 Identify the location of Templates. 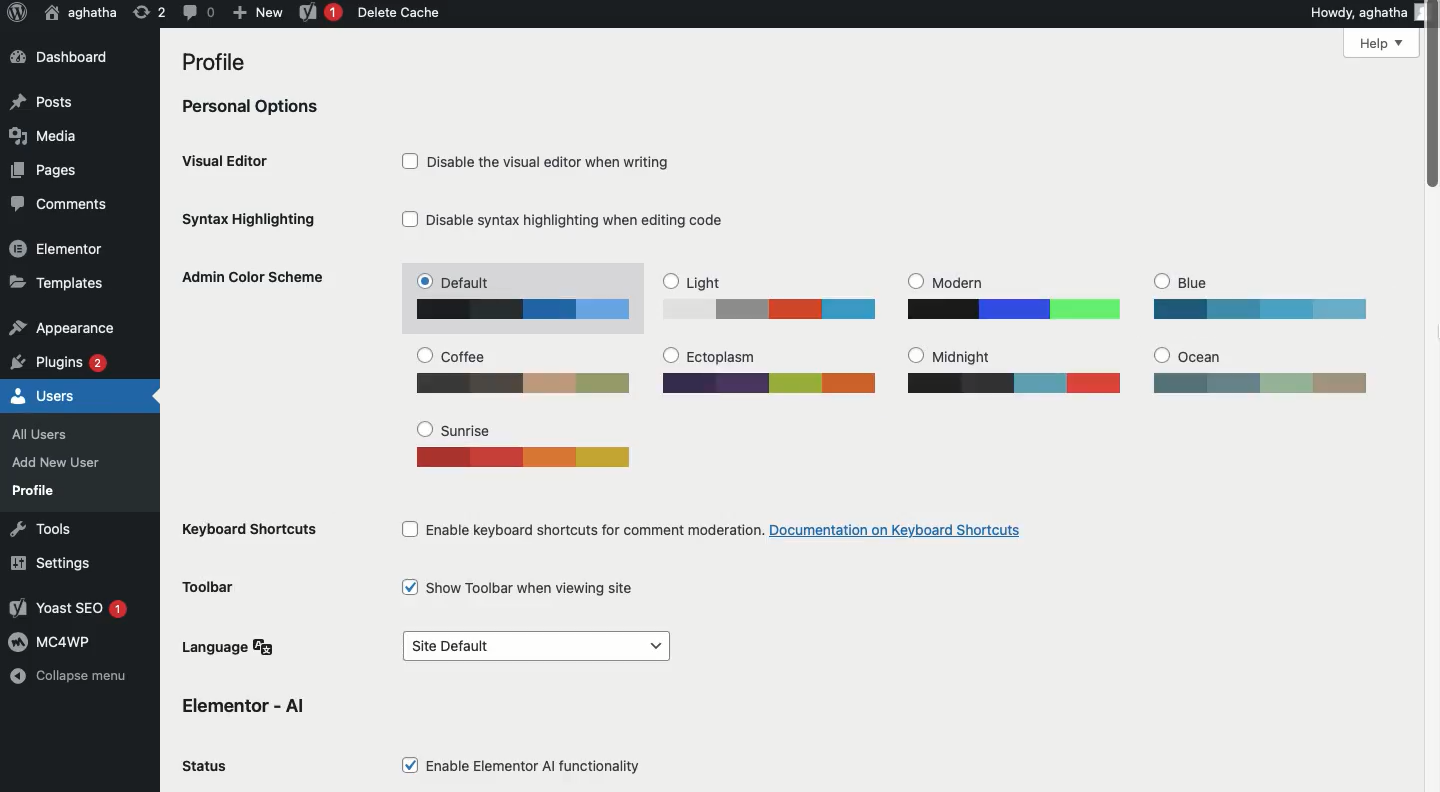
(58, 281).